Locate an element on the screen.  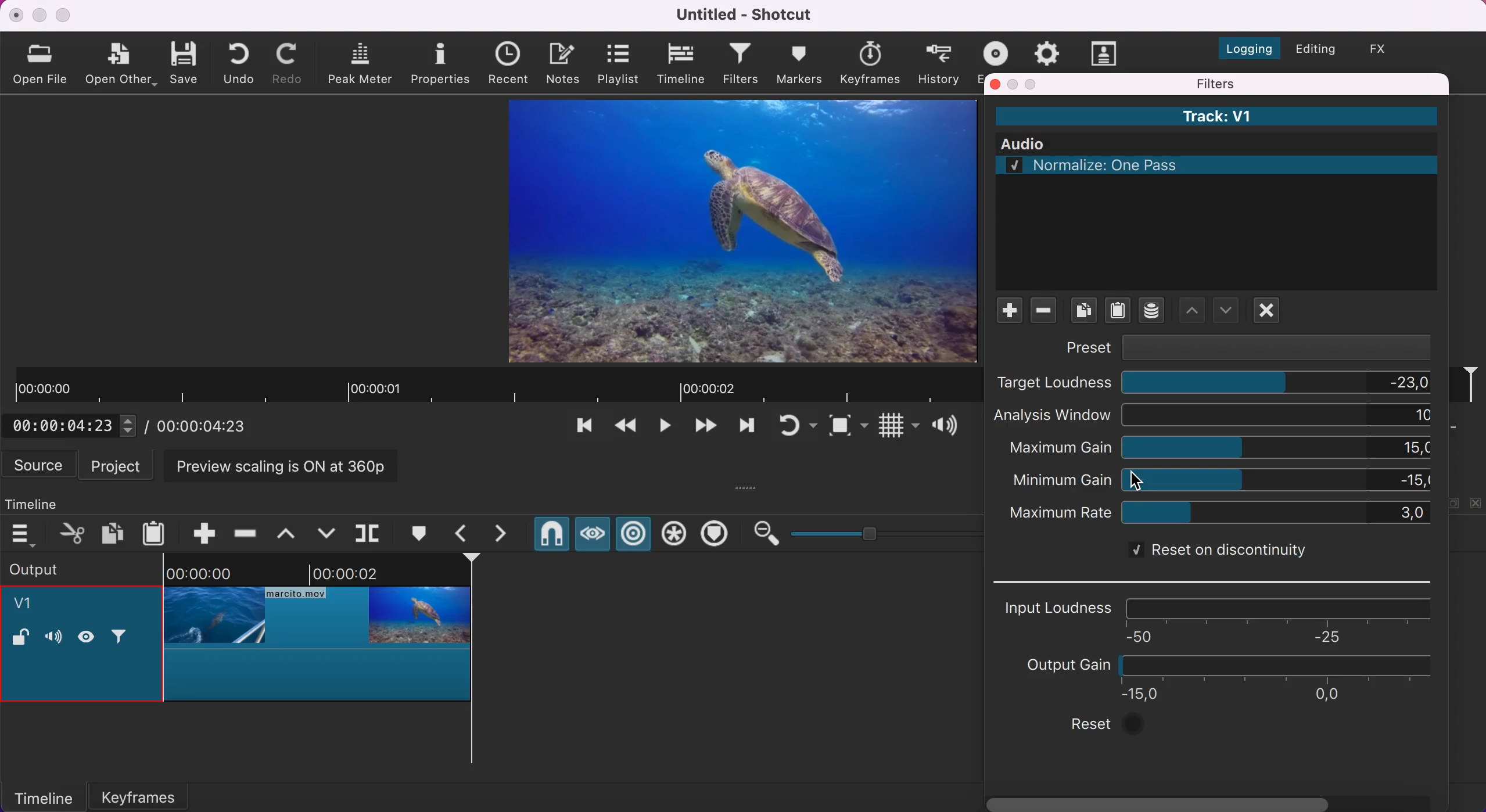
timeline is located at coordinates (44, 501).